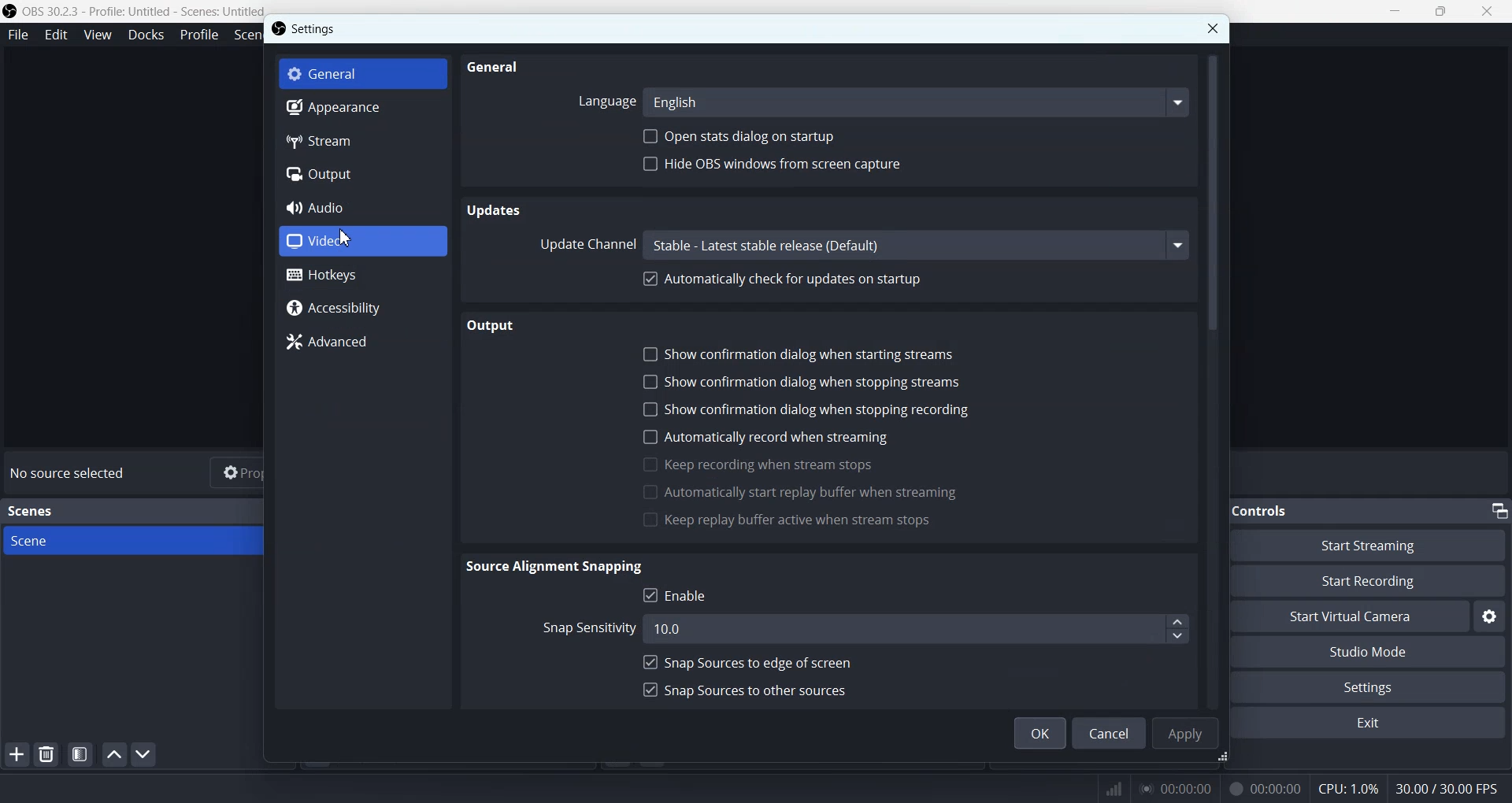 The height and width of the screenshot is (803, 1512). I want to click on Docks, so click(146, 35).